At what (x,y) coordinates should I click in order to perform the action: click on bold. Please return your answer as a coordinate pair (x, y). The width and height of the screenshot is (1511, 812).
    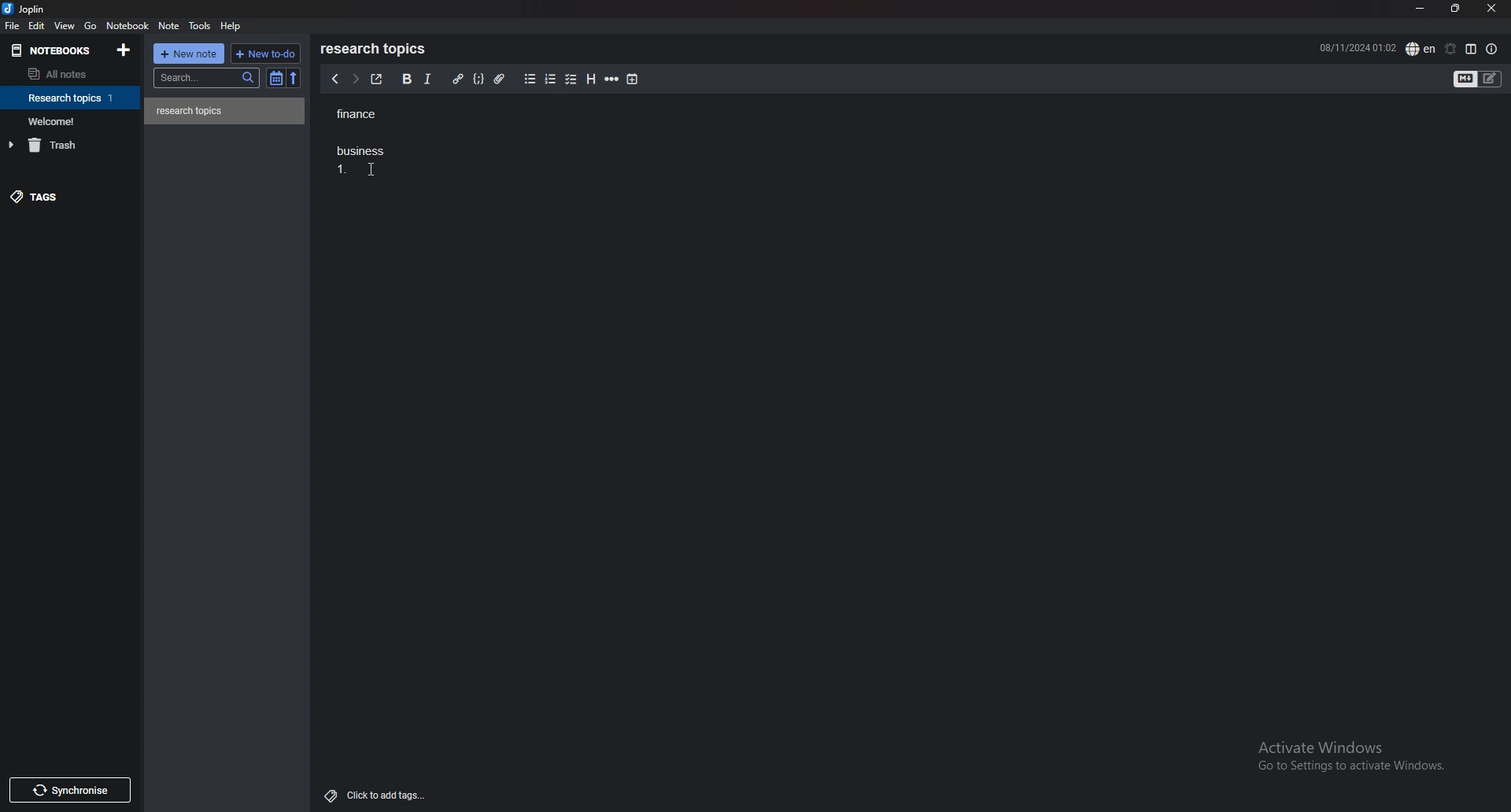
    Looking at the image, I should click on (405, 79).